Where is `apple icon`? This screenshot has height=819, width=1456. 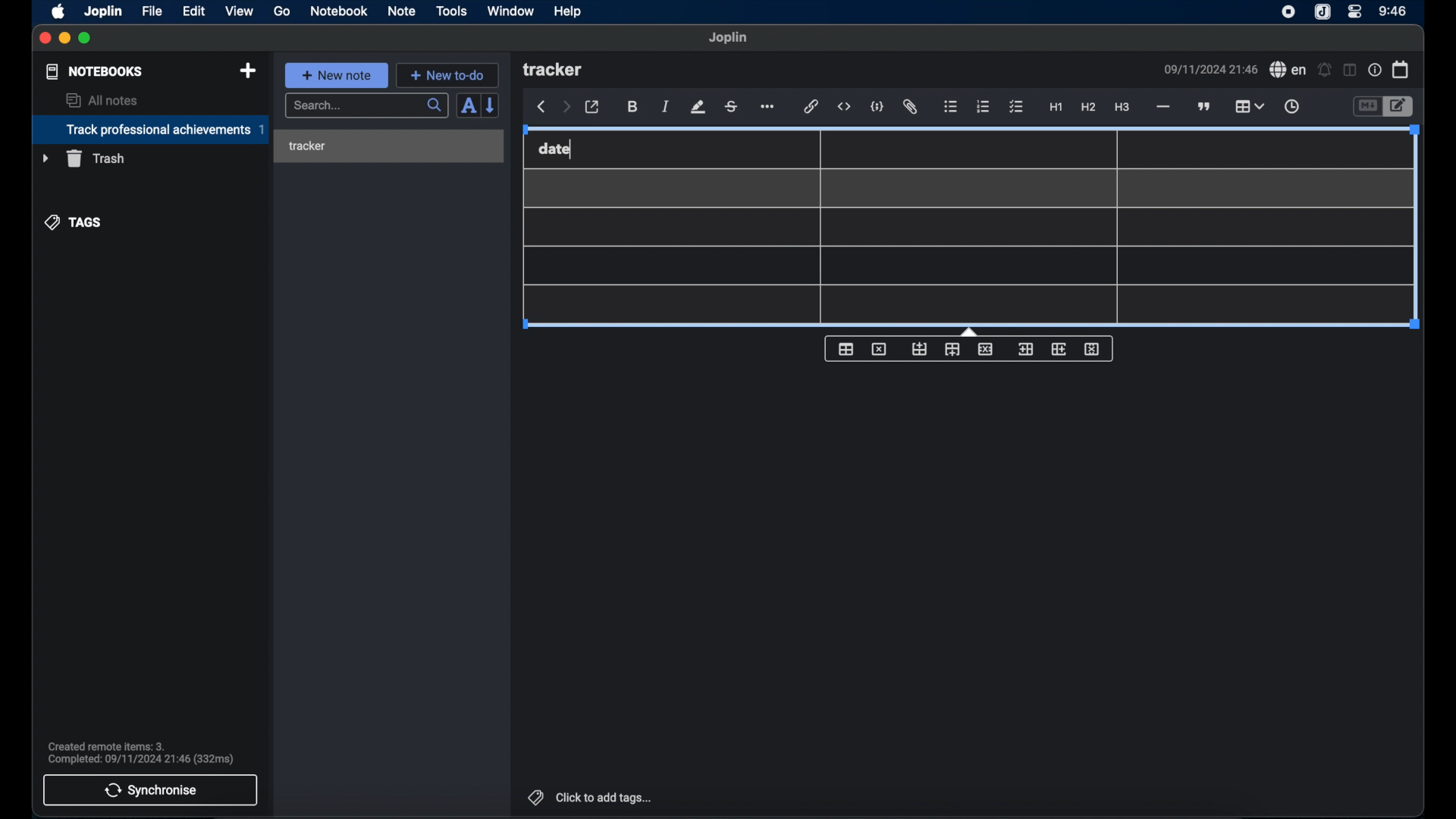
apple icon is located at coordinates (59, 11).